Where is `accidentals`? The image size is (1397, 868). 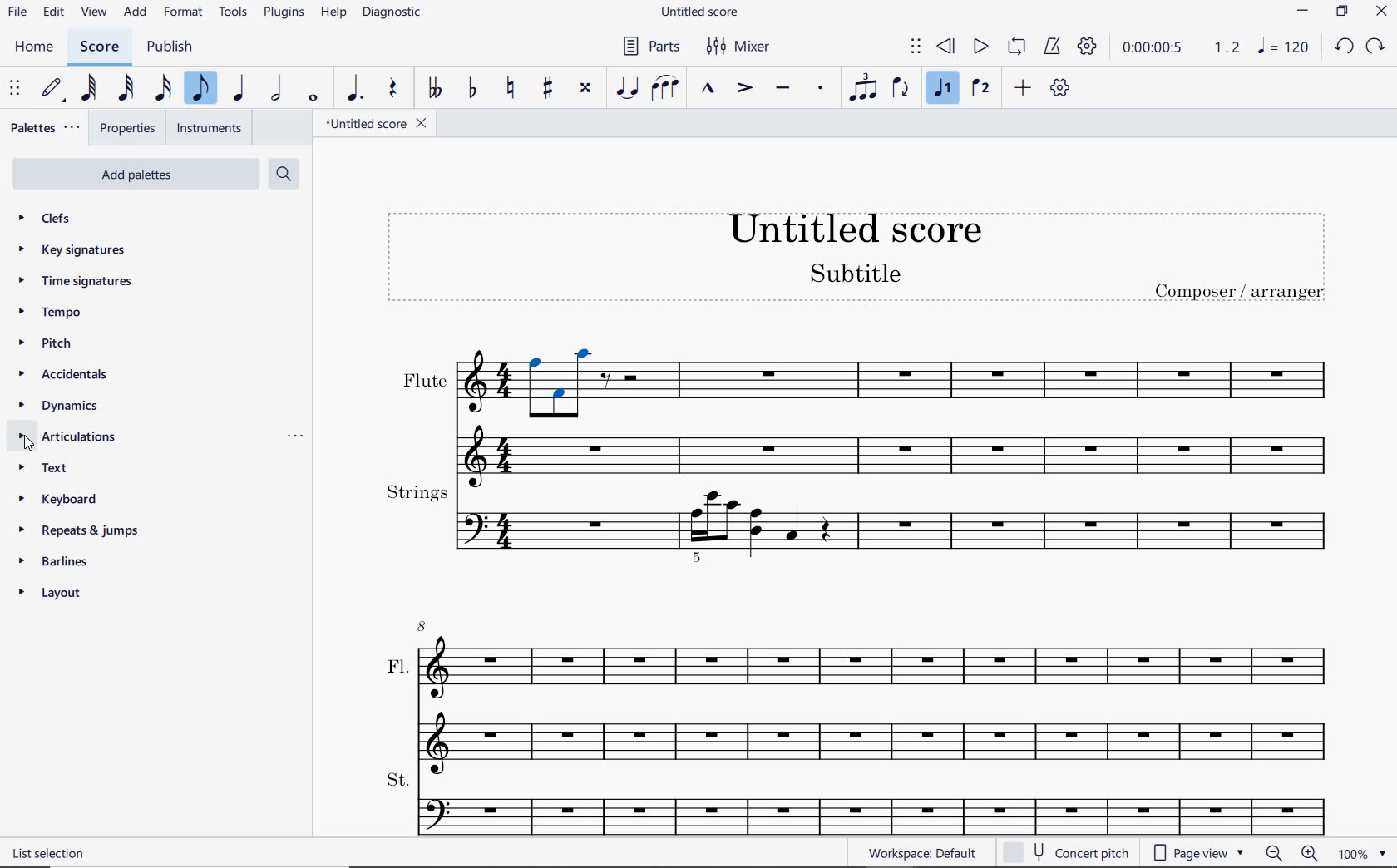 accidentals is located at coordinates (62, 376).